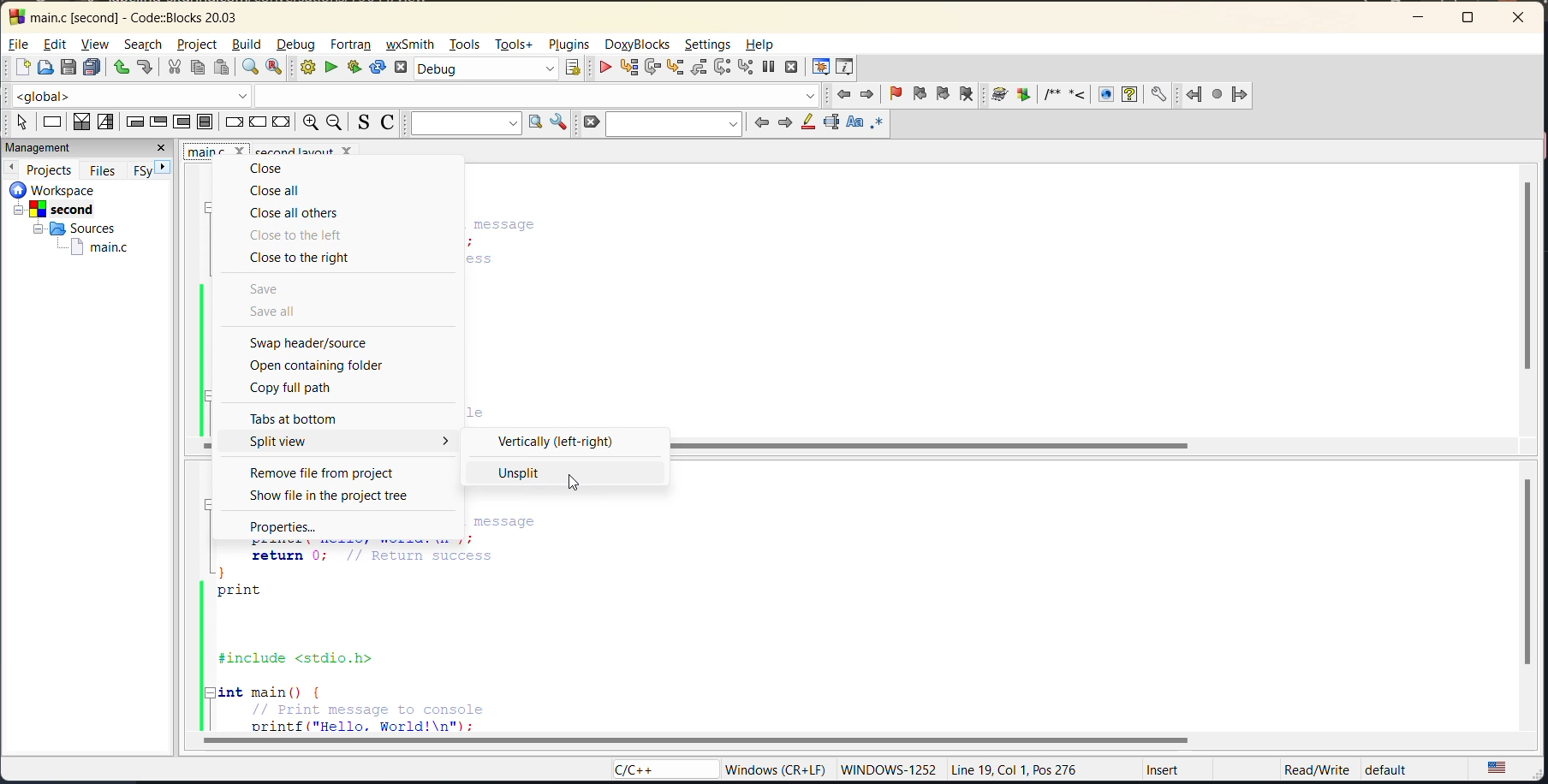 The width and height of the screenshot is (1548, 784). Describe the element at coordinates (1525, 275) in the screenshot. I see `vertical scroll bar` at that location.